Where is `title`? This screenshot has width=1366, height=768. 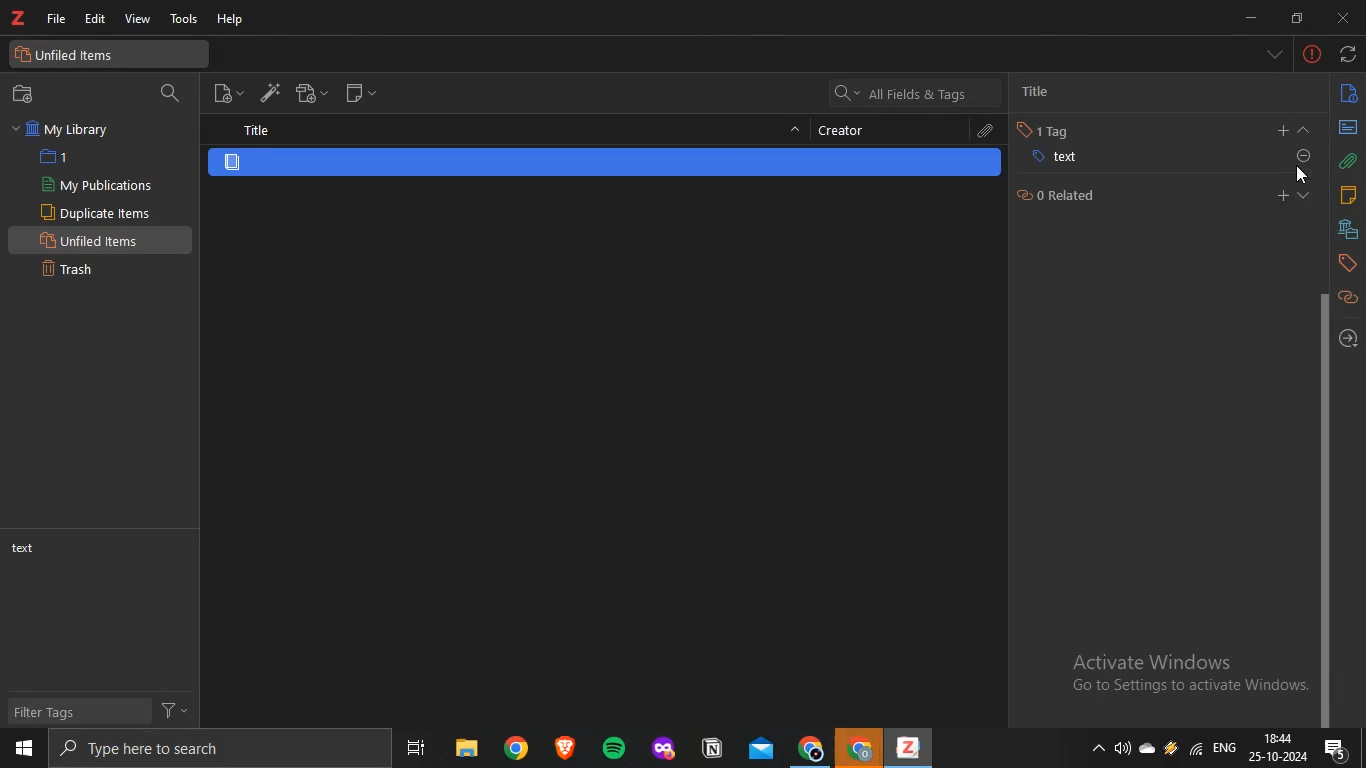
title is located at coordinates (315, 129).